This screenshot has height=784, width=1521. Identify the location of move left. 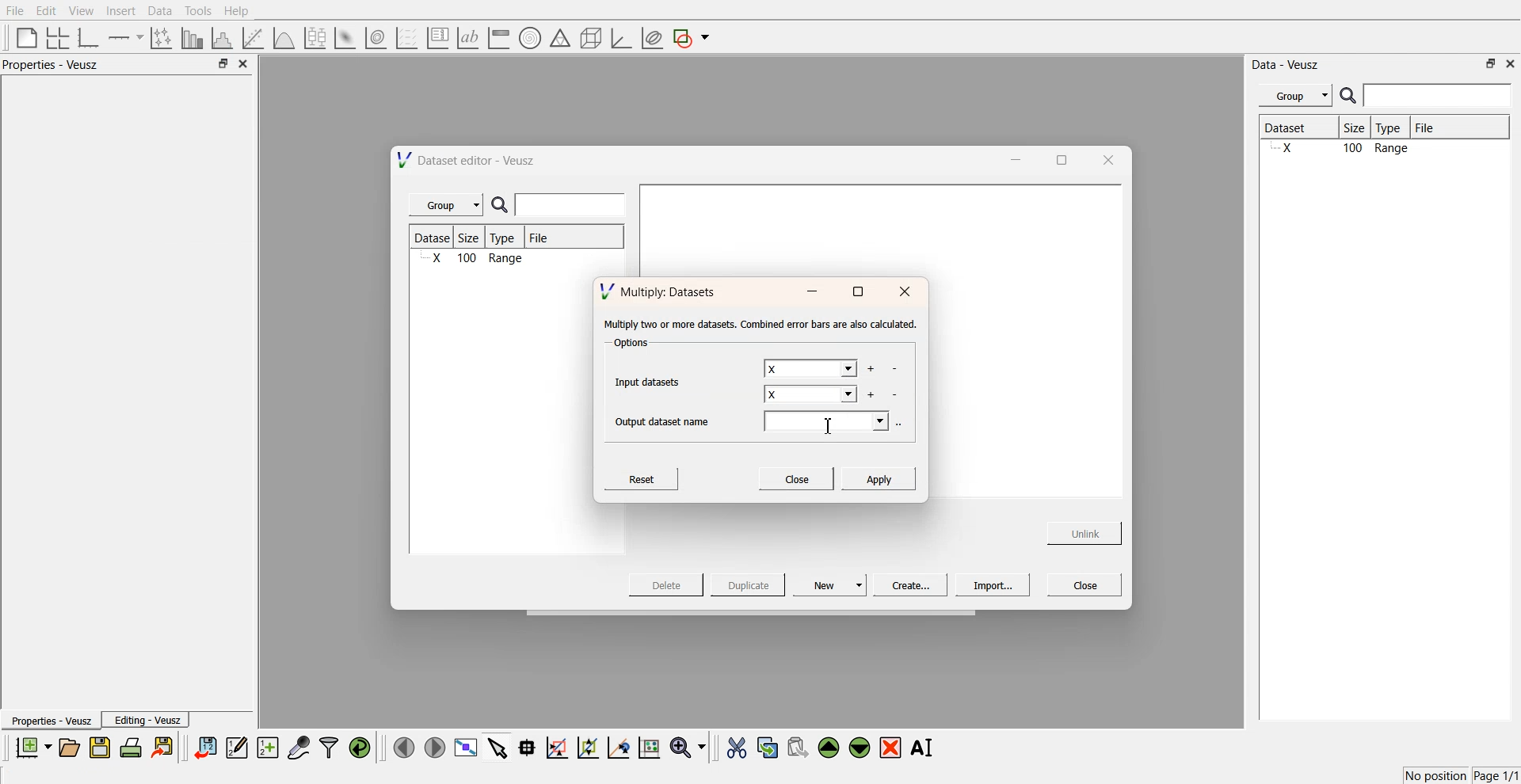
(404, 747).